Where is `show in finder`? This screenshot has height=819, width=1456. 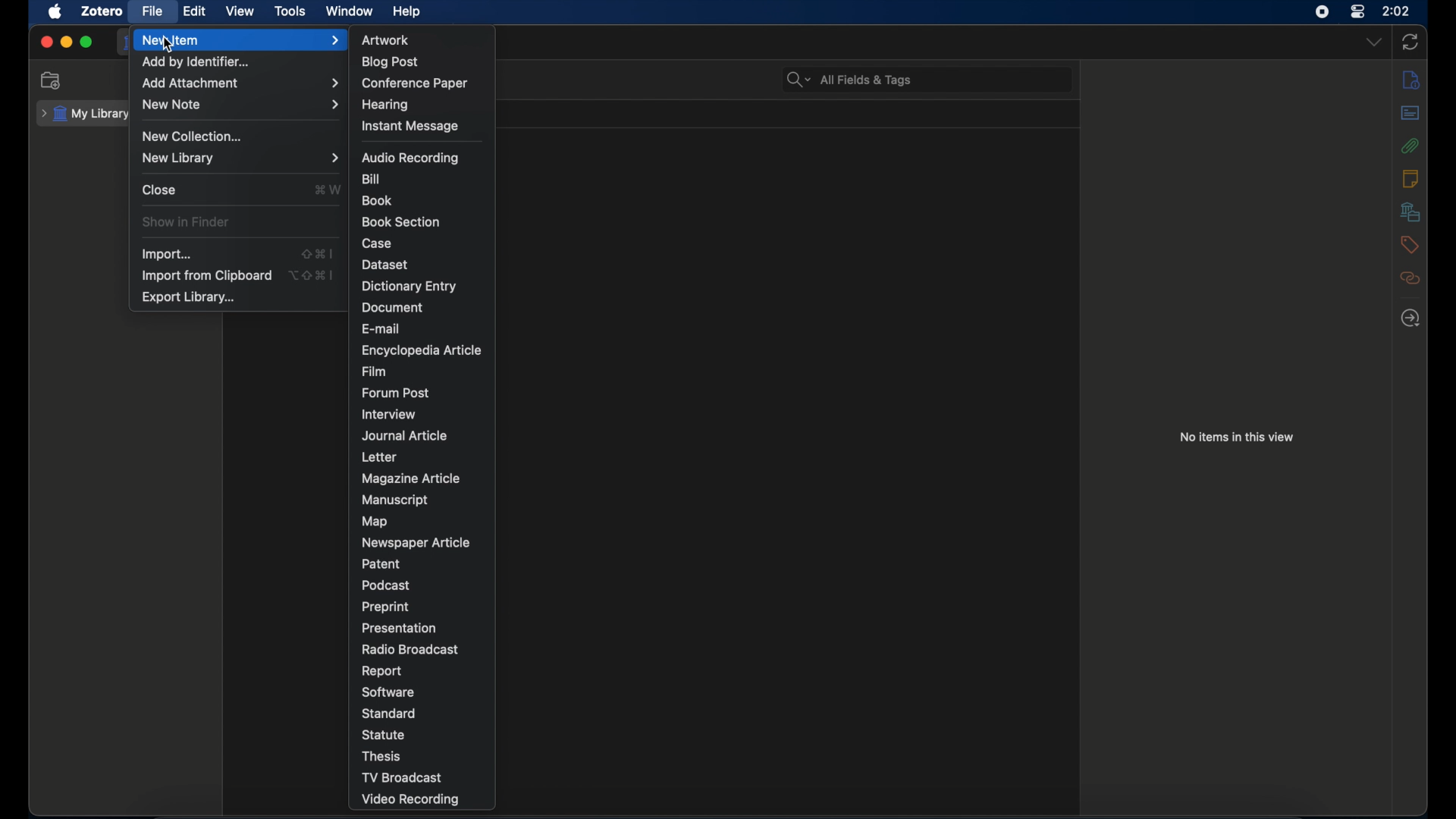
show in finder is located at coordinates (187, 222).